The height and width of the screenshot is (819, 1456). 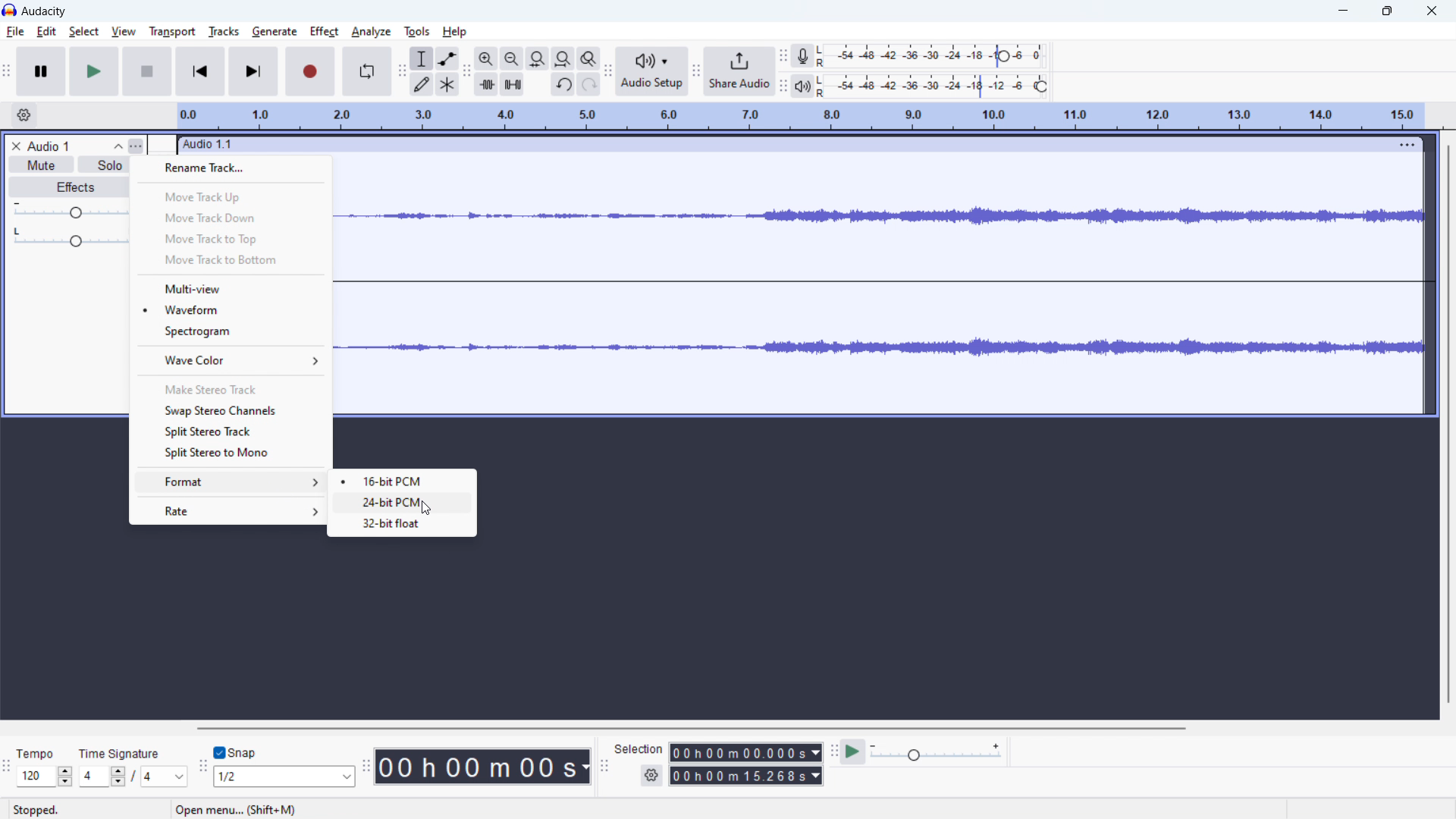 I want to click on wave color, so click(x=231, y=360).